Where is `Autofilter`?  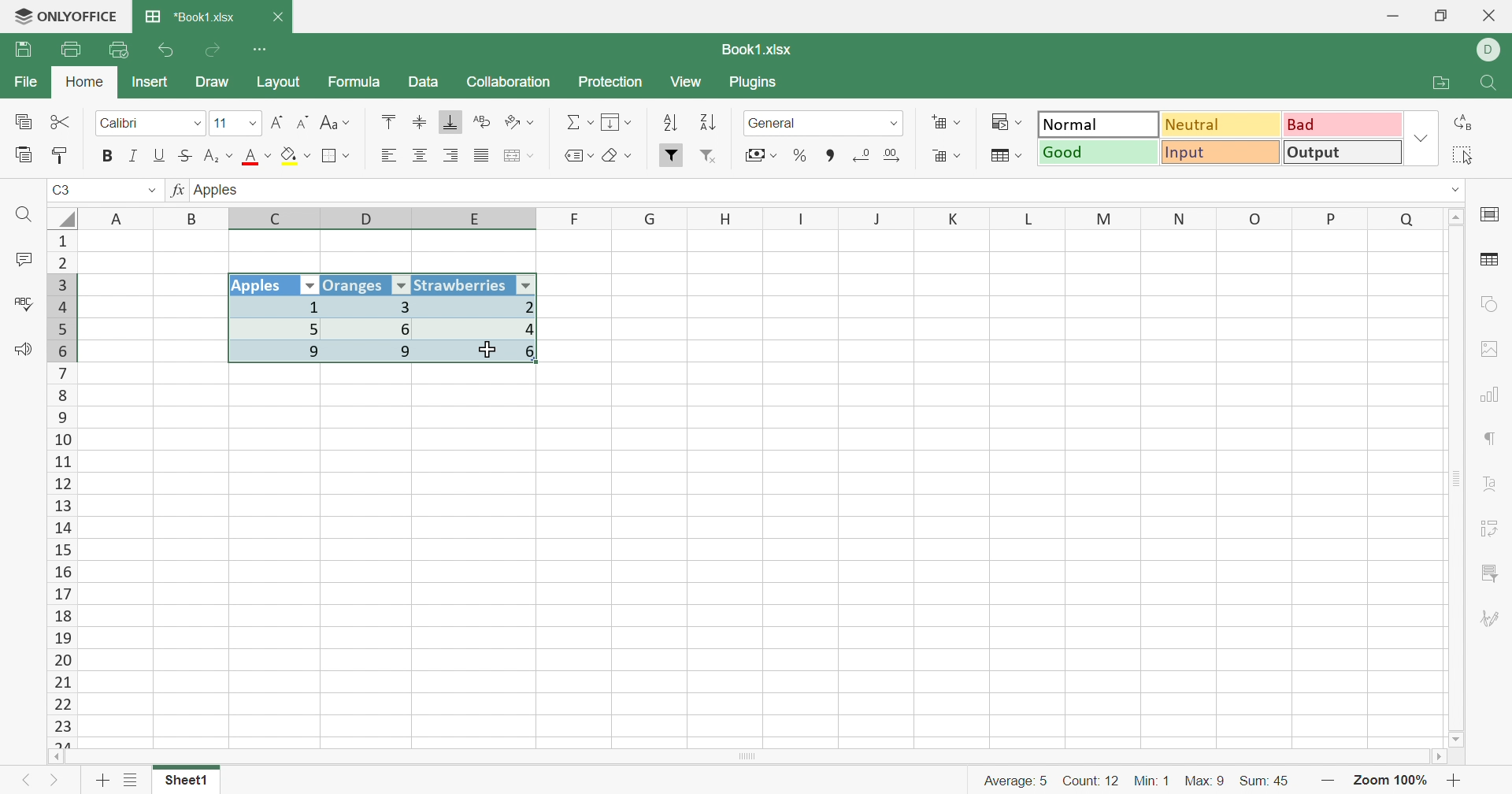
Autofilter is located at coordinates (310, 286).